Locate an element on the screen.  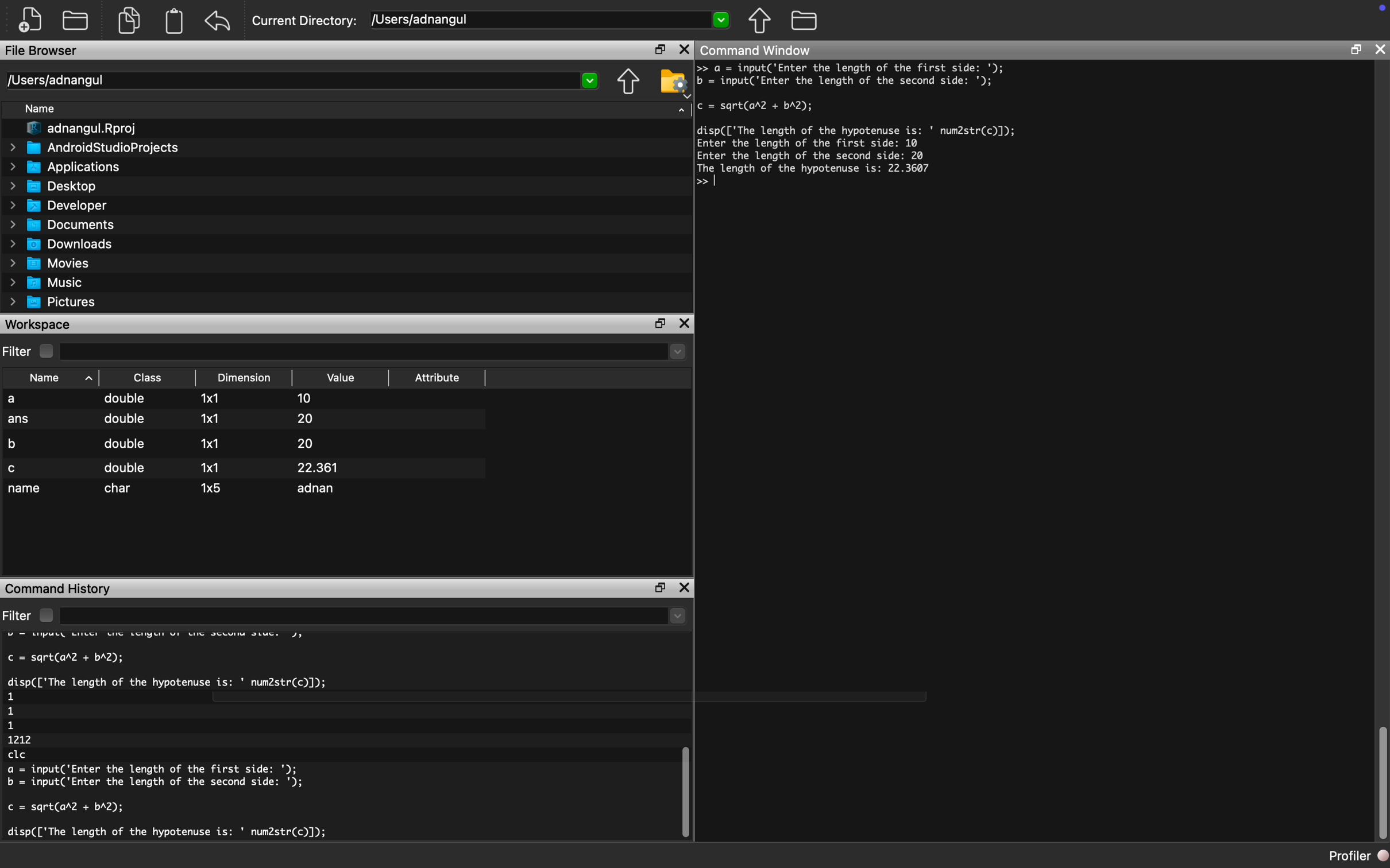
Attribute is located at coordinates (438, 381).